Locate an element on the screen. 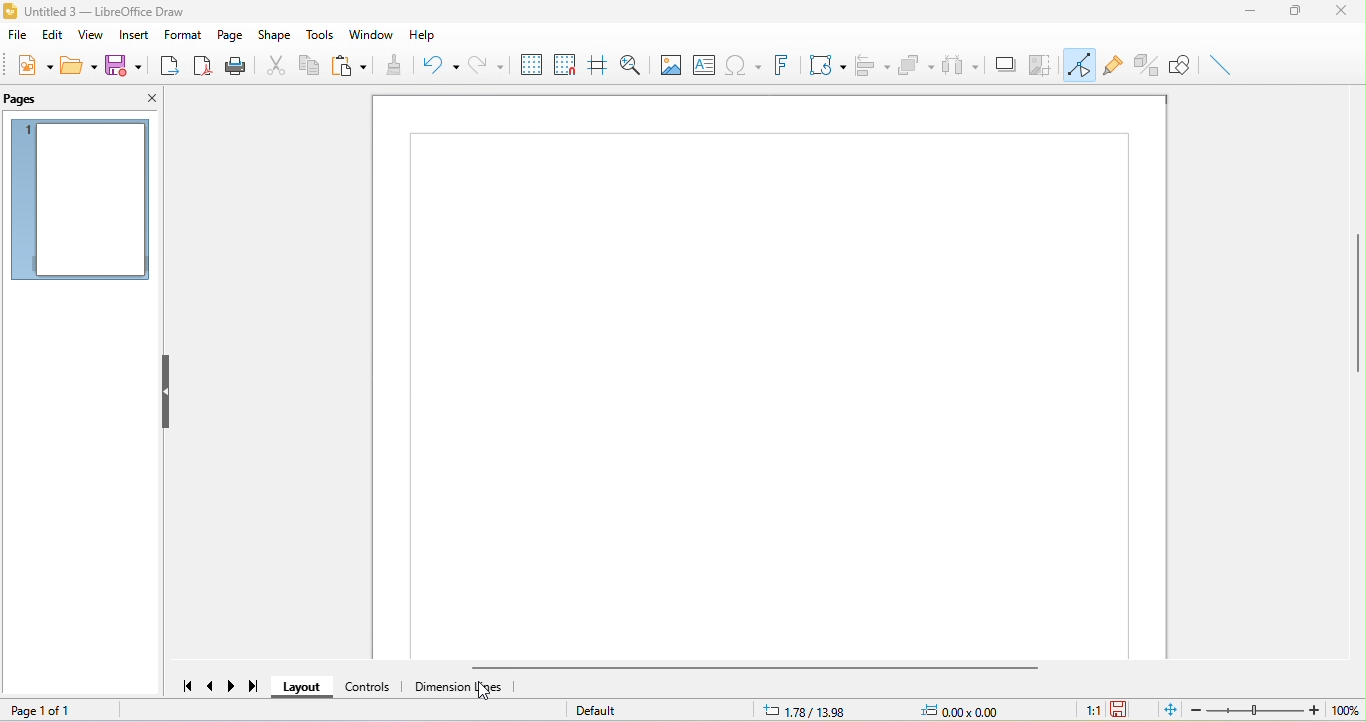 The width and height of the screenshot is (1366, 722). 1:1 is located at coordinates (1085, 711).